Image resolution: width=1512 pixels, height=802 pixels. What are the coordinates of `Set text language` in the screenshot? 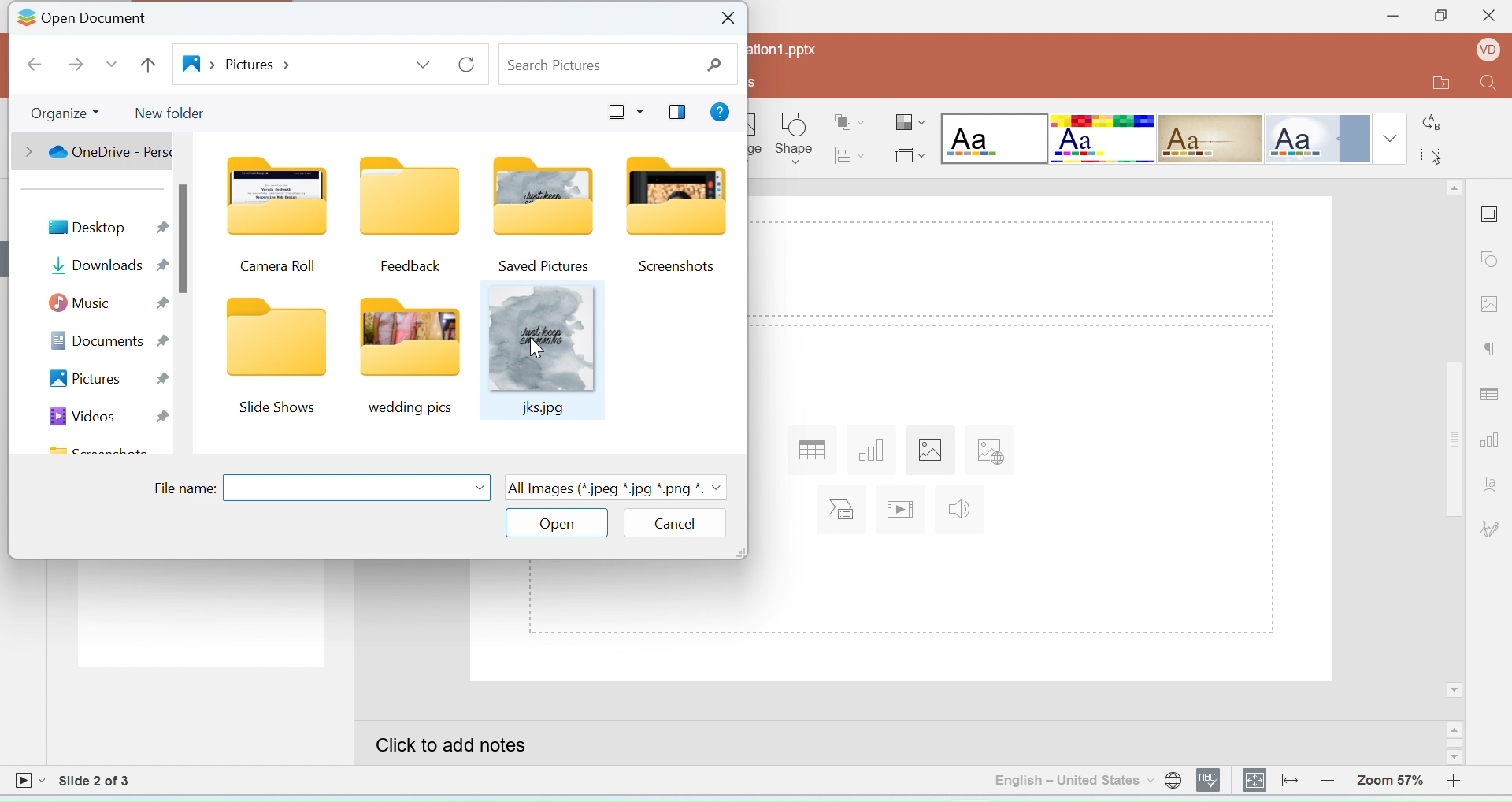 It's located at (1073, 780).